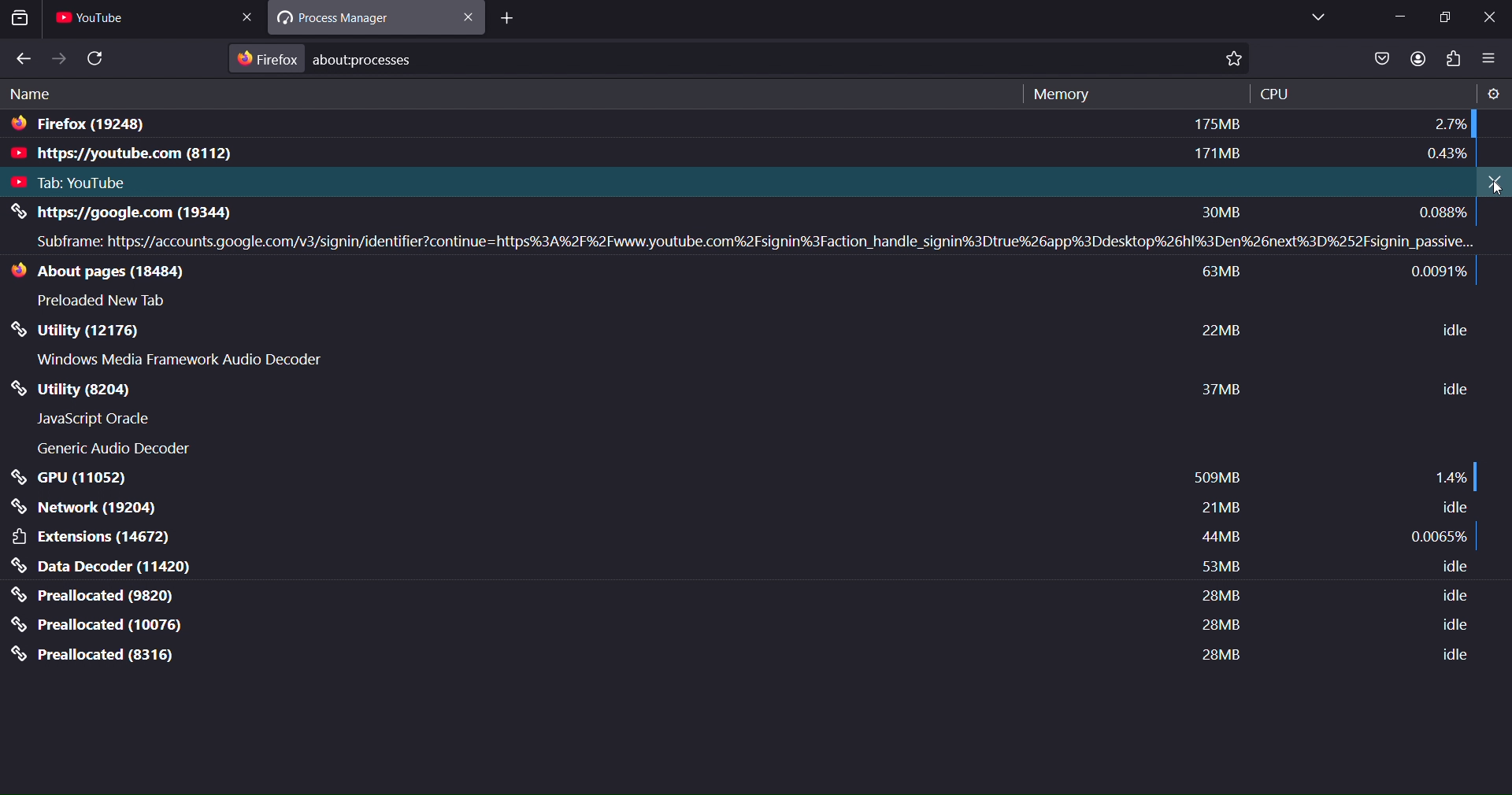 The height and width of the screenshot is (795, 1512). I want to click on 175 MB, so click(1216, 124).